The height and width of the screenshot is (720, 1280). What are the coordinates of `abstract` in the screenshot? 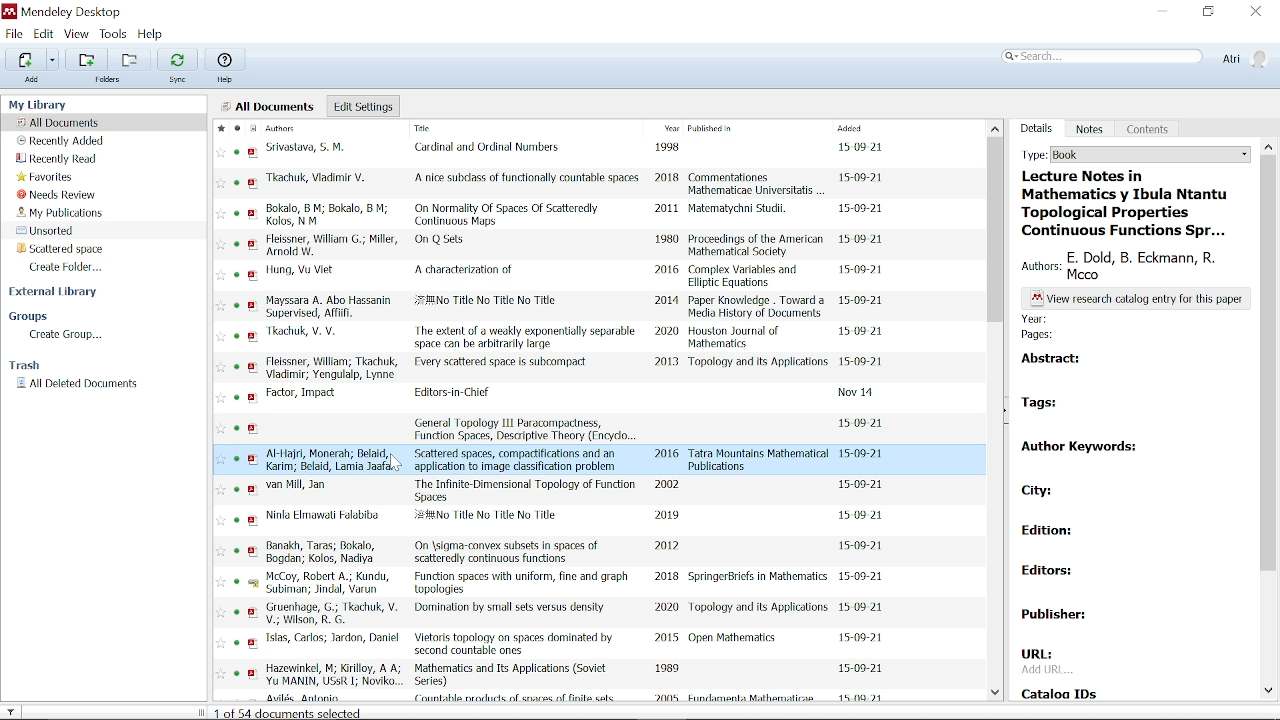 It's located at (1053, 357).